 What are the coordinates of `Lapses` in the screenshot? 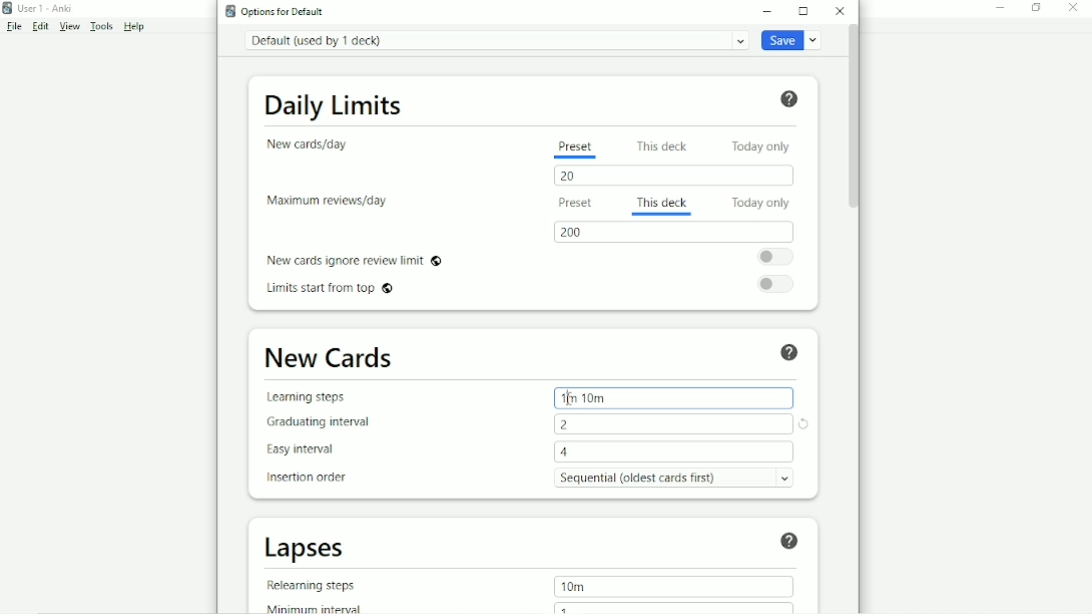 It's located at (308, 549).